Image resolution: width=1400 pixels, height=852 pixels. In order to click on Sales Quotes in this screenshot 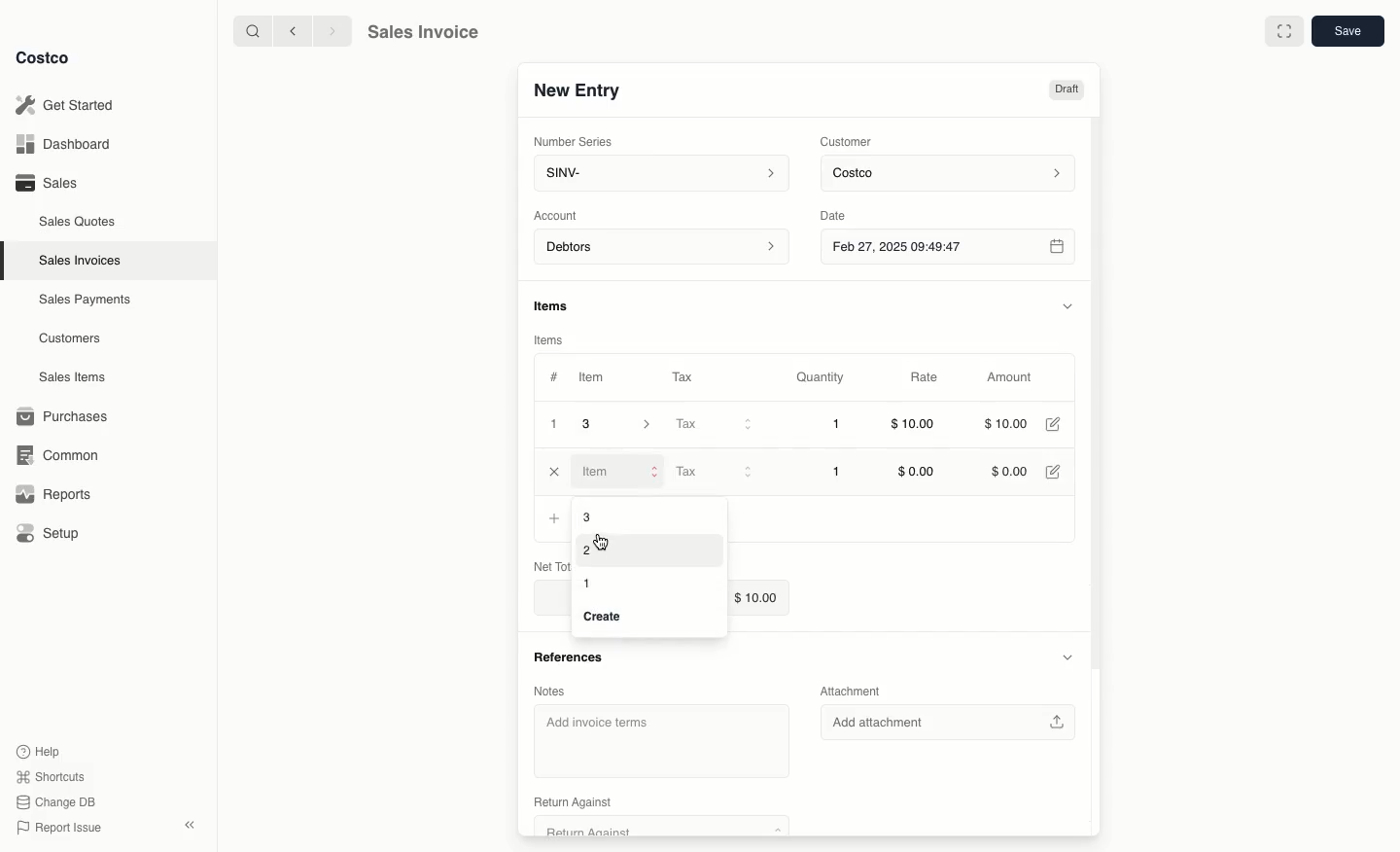, I will do `click(79, 221)`.